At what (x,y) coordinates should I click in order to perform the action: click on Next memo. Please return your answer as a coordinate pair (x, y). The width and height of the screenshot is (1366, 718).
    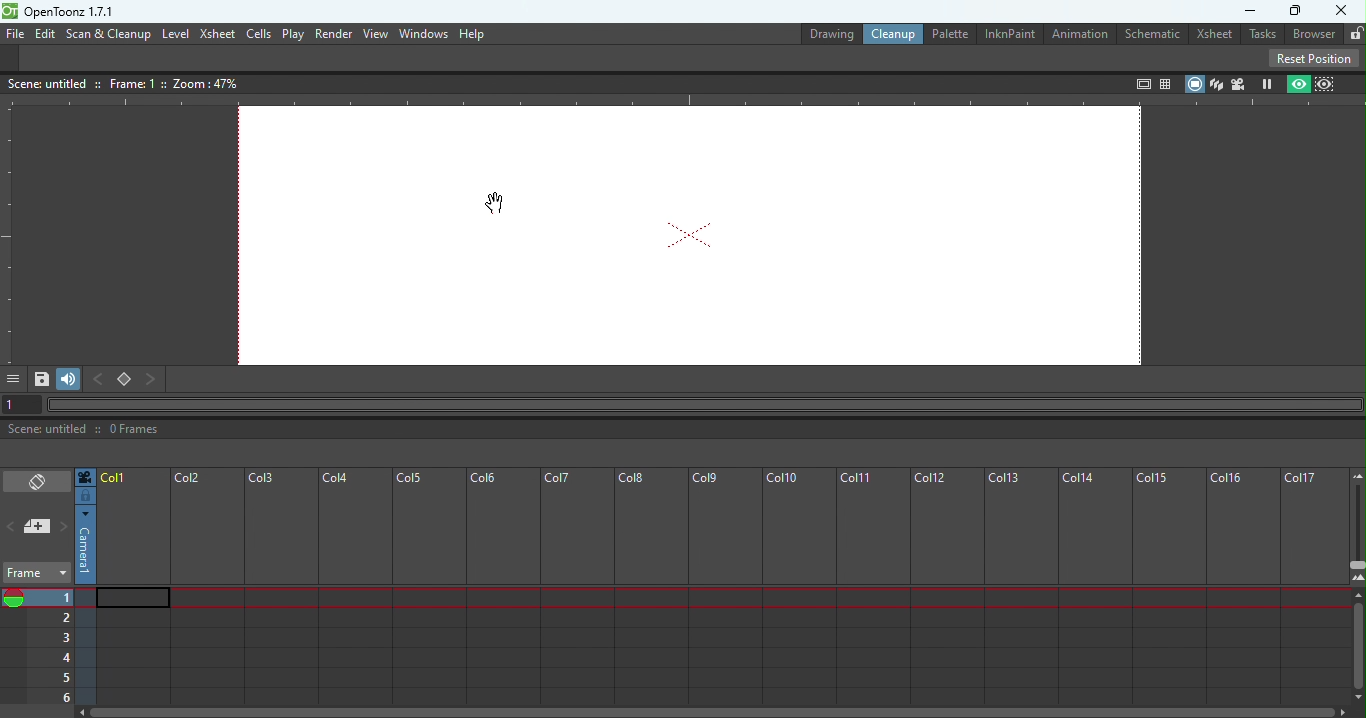
    Looking at the image, I should click on (62, 525).